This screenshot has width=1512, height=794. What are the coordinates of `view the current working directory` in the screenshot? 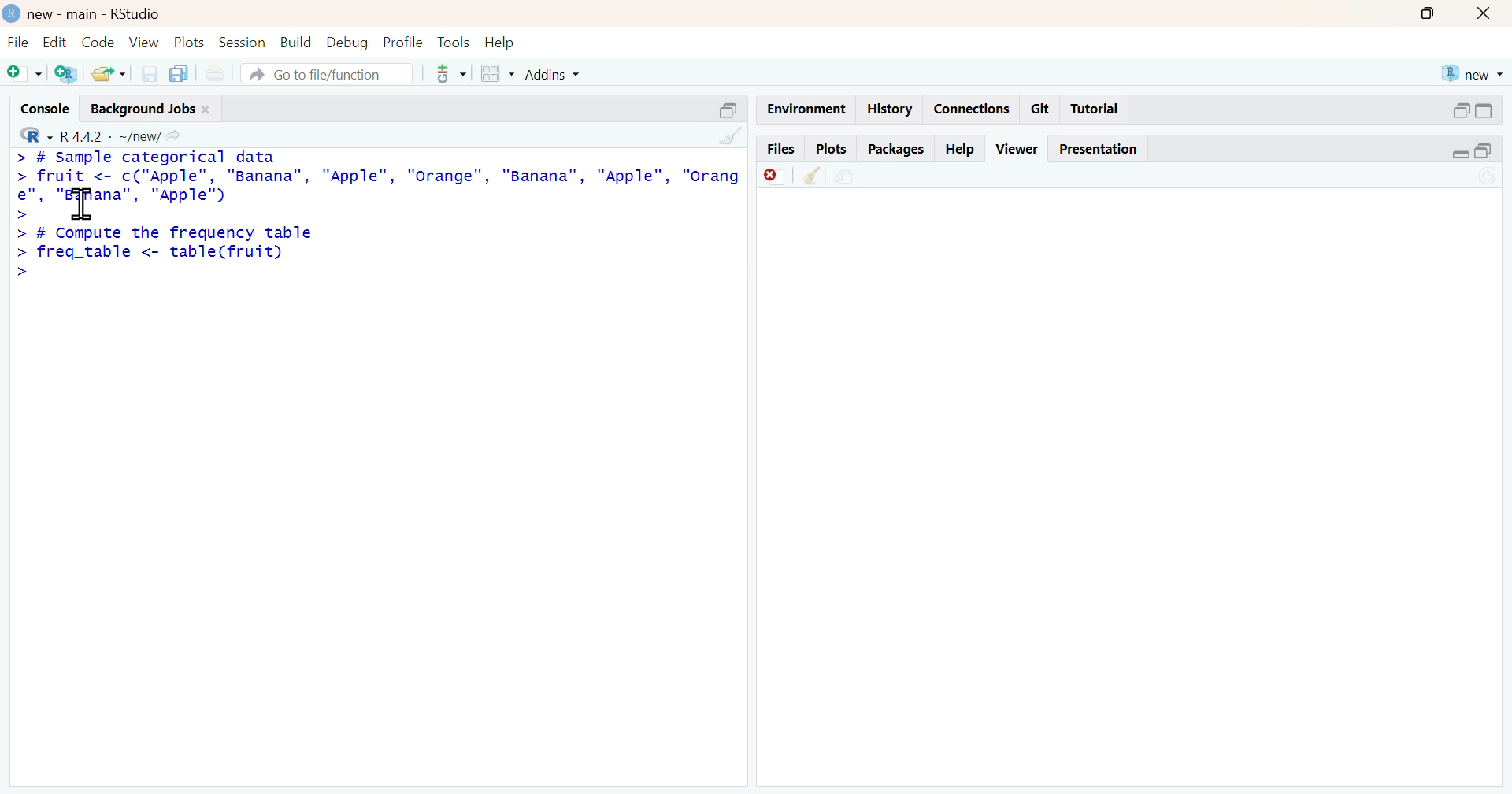 It's located at (174, 137).